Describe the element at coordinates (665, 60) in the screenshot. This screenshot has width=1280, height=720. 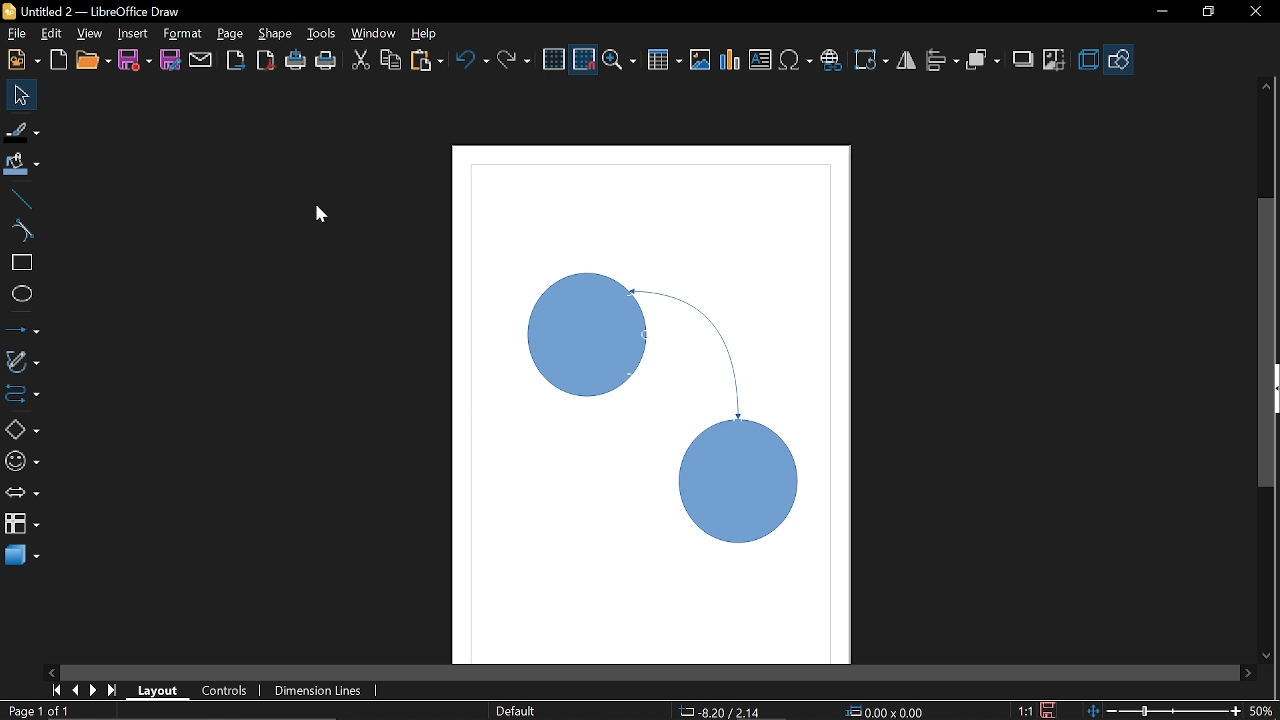
I see `Insert table` at that location.